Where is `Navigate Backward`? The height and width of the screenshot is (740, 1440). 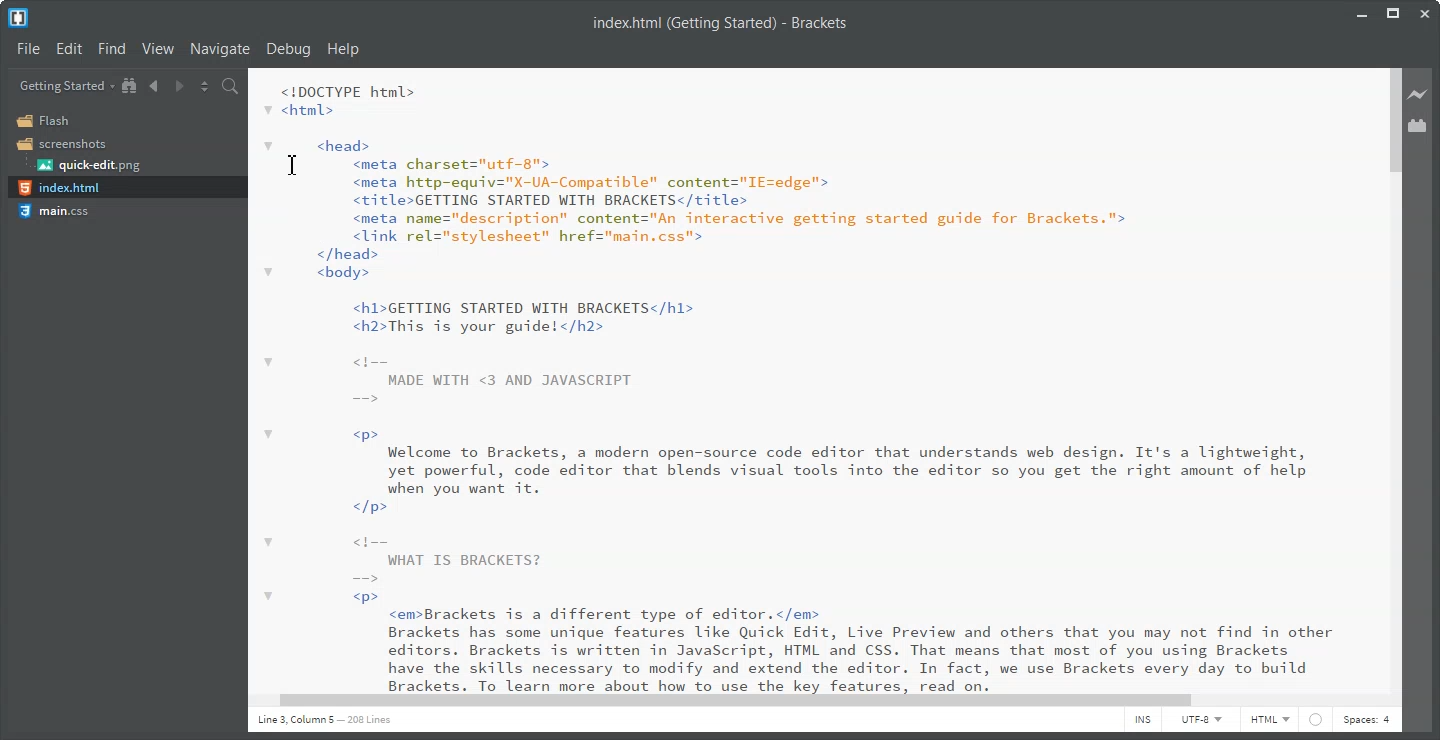 Navigate Backward is located at coordinates (154, 86).